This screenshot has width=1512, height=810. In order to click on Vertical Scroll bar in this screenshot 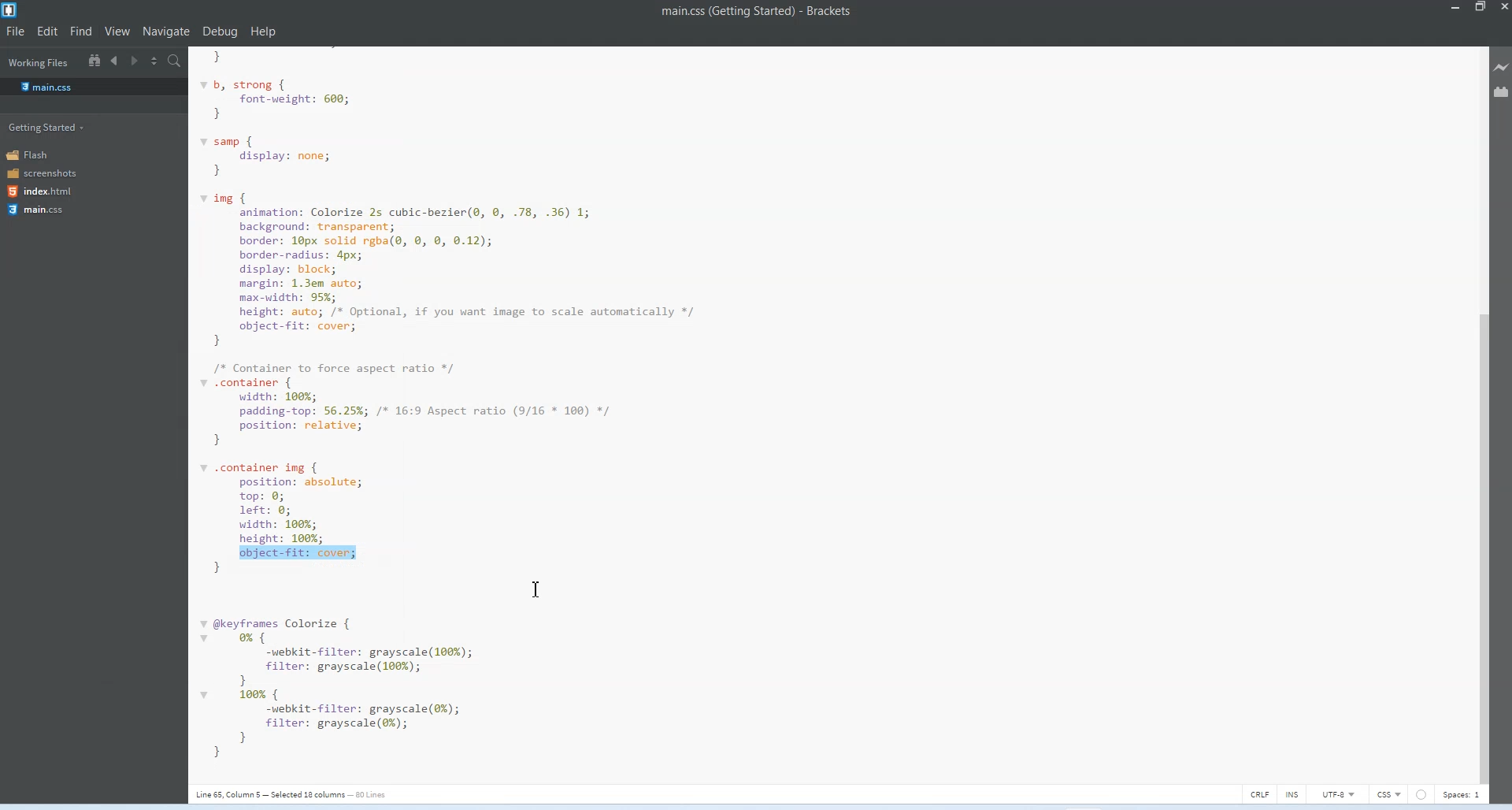, I will do `click(1480, 412)`.